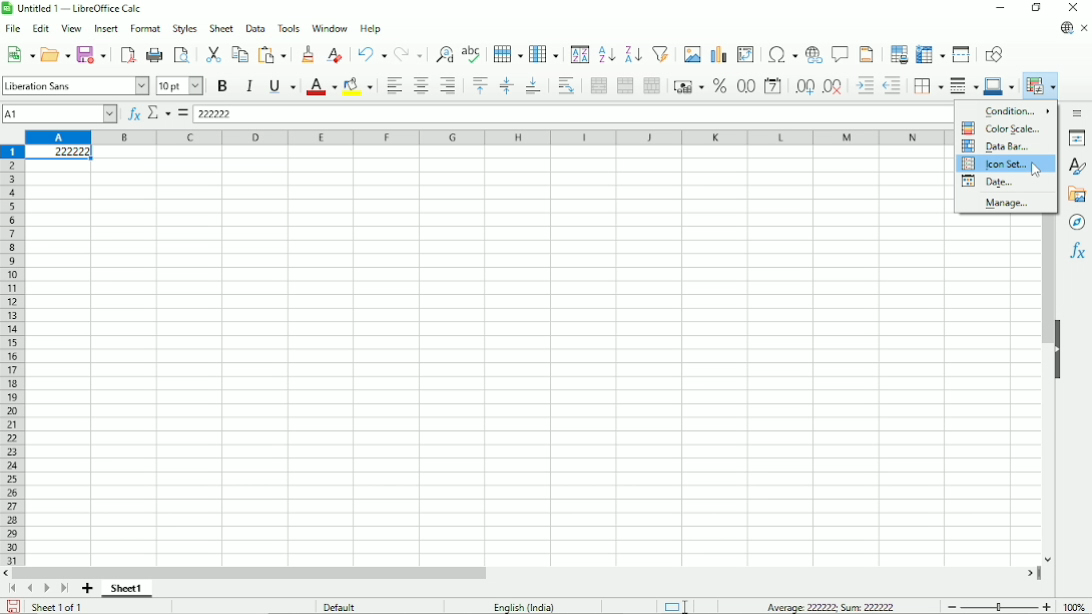  I want to click on Align center, so click(420, 86).